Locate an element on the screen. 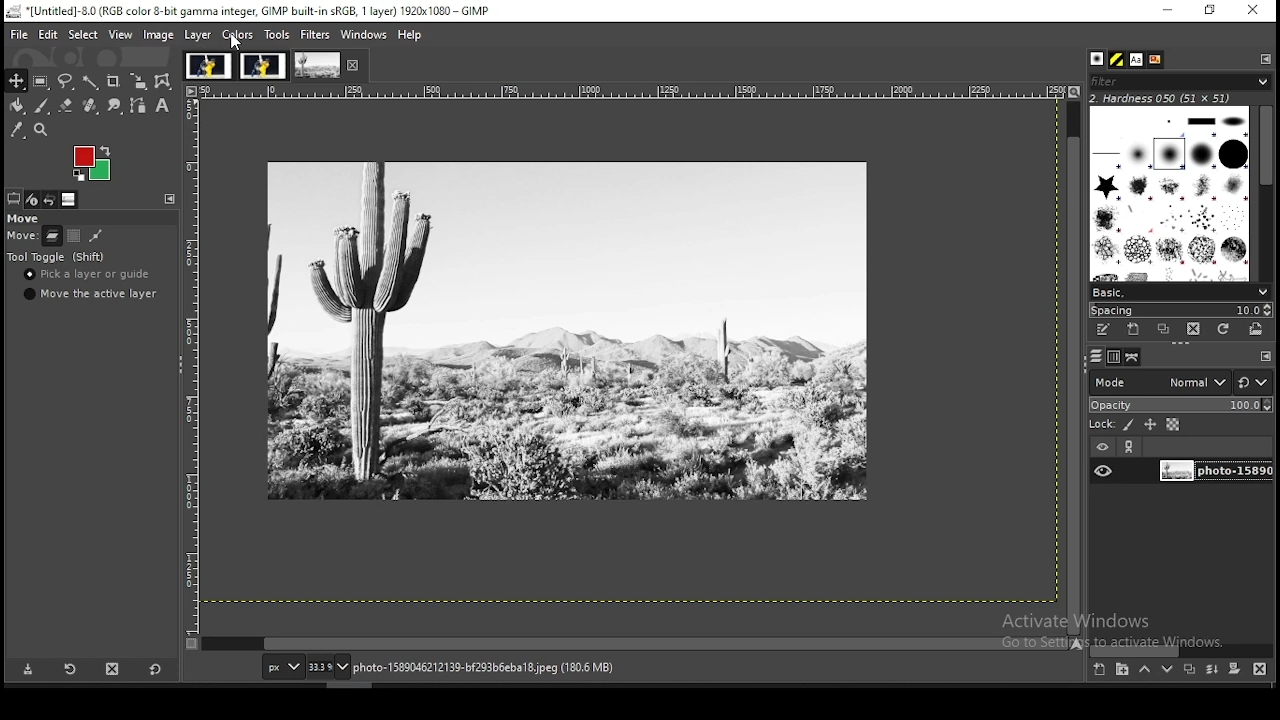 This screenshot has height=720, width=1280. reset to defaults is located at coordinates (154, 669).